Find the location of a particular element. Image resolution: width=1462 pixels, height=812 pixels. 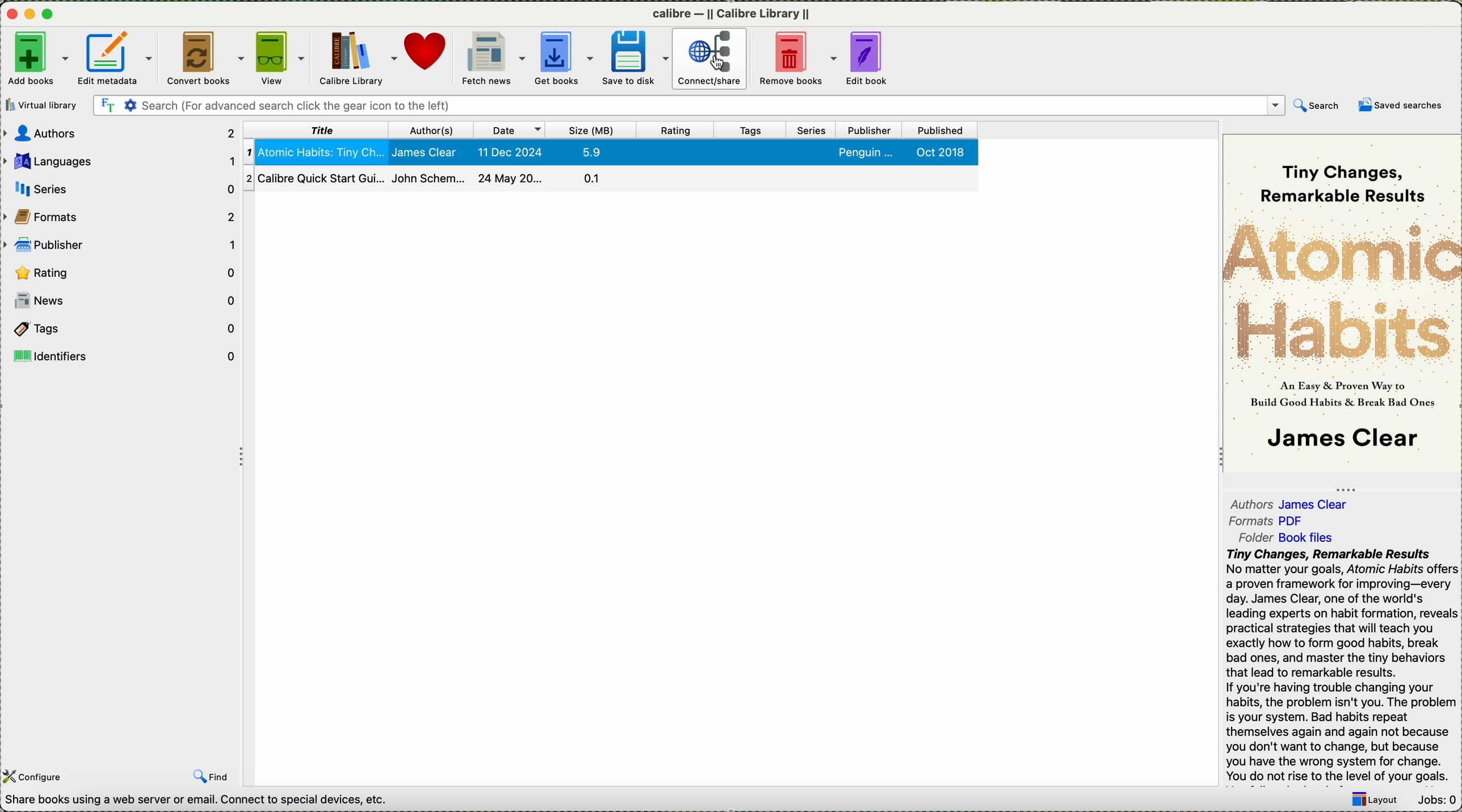

convert books is located at coordinates (207, 58).